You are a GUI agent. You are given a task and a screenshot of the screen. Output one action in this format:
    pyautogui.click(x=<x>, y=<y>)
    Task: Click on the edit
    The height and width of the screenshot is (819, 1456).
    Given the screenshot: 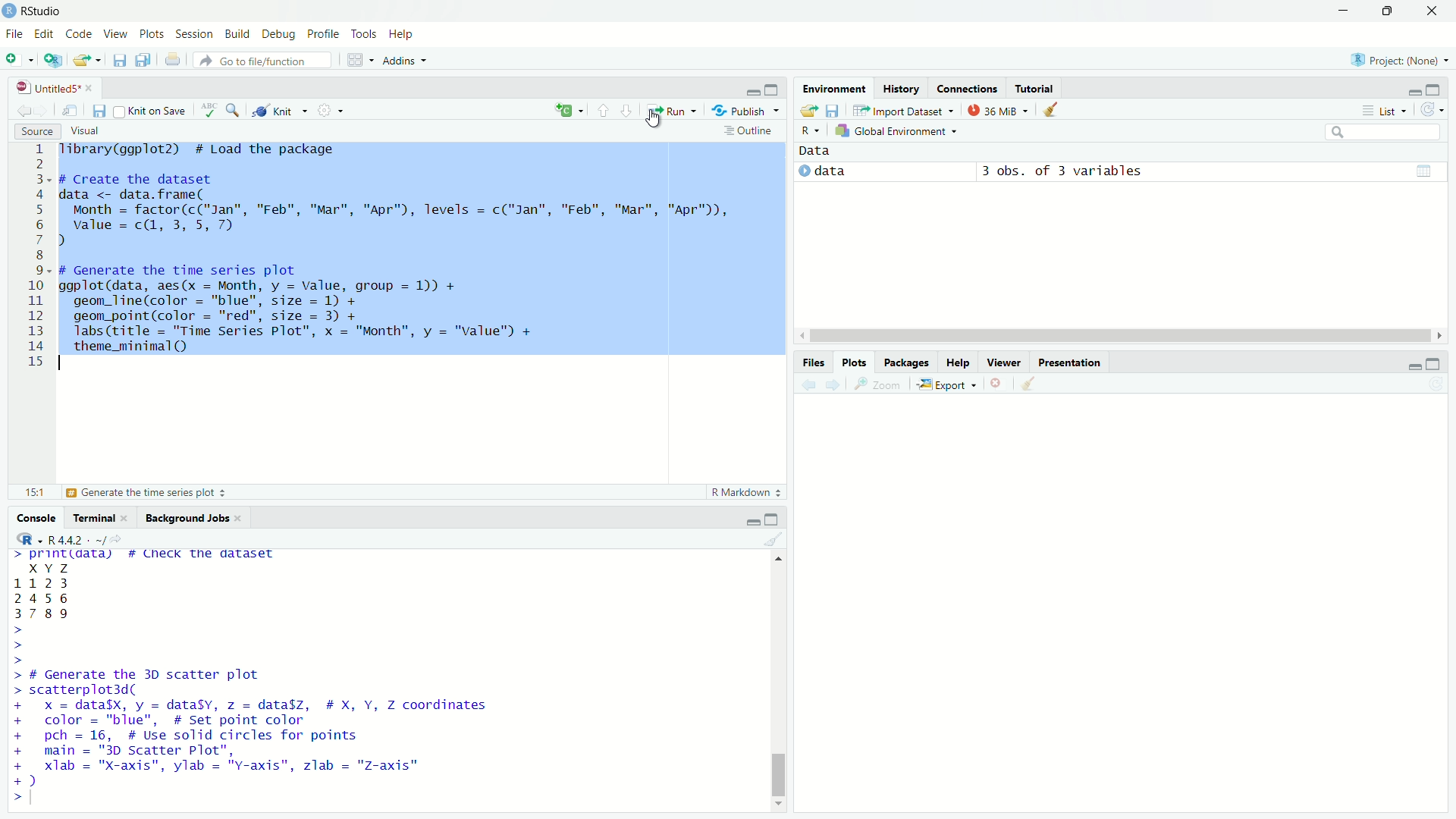 What is the action you would take?
    pyautogui.click(x=42, y=35)
    